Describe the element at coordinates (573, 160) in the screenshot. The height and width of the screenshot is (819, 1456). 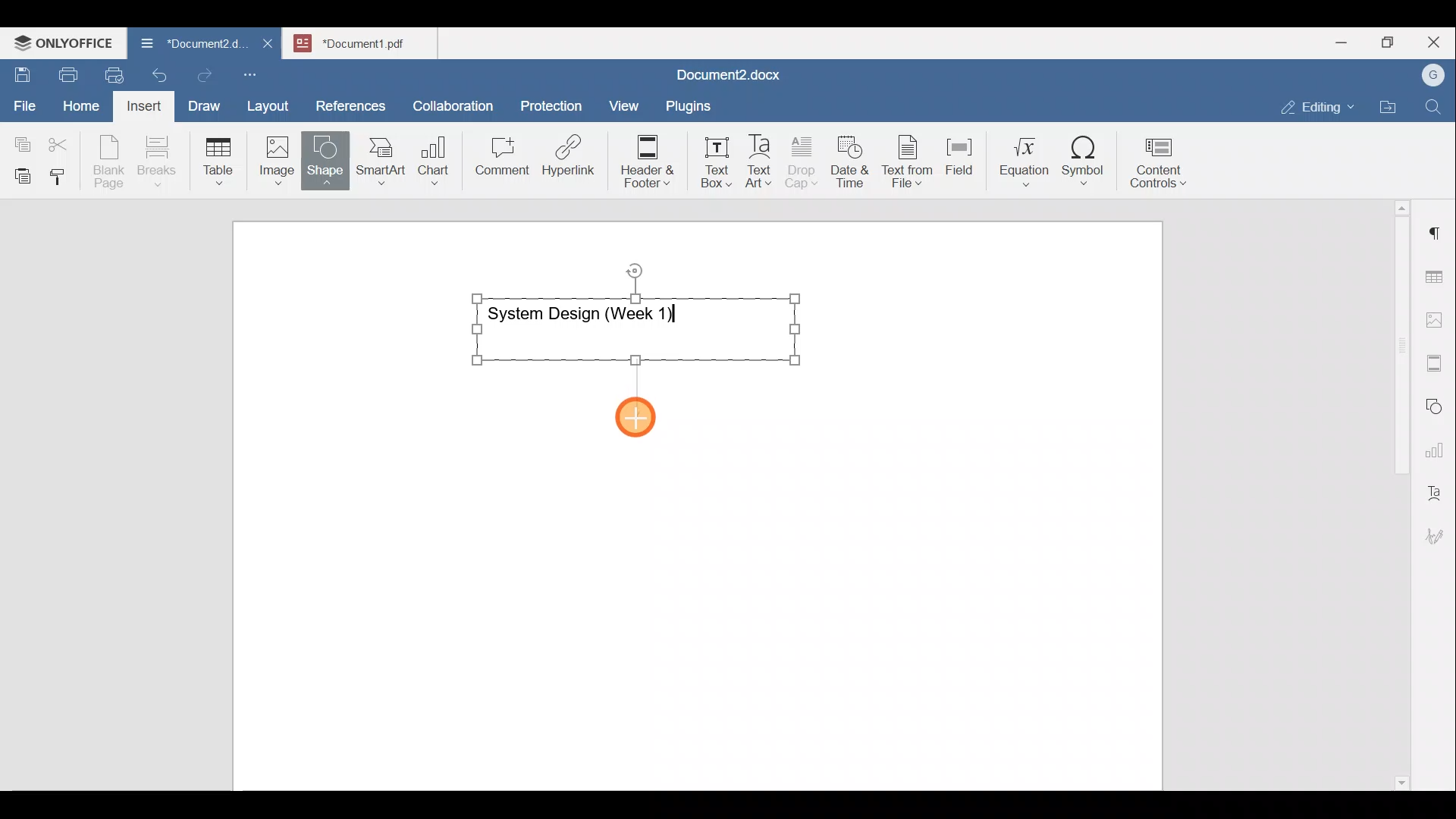
I see `Hyperlink` at that location.